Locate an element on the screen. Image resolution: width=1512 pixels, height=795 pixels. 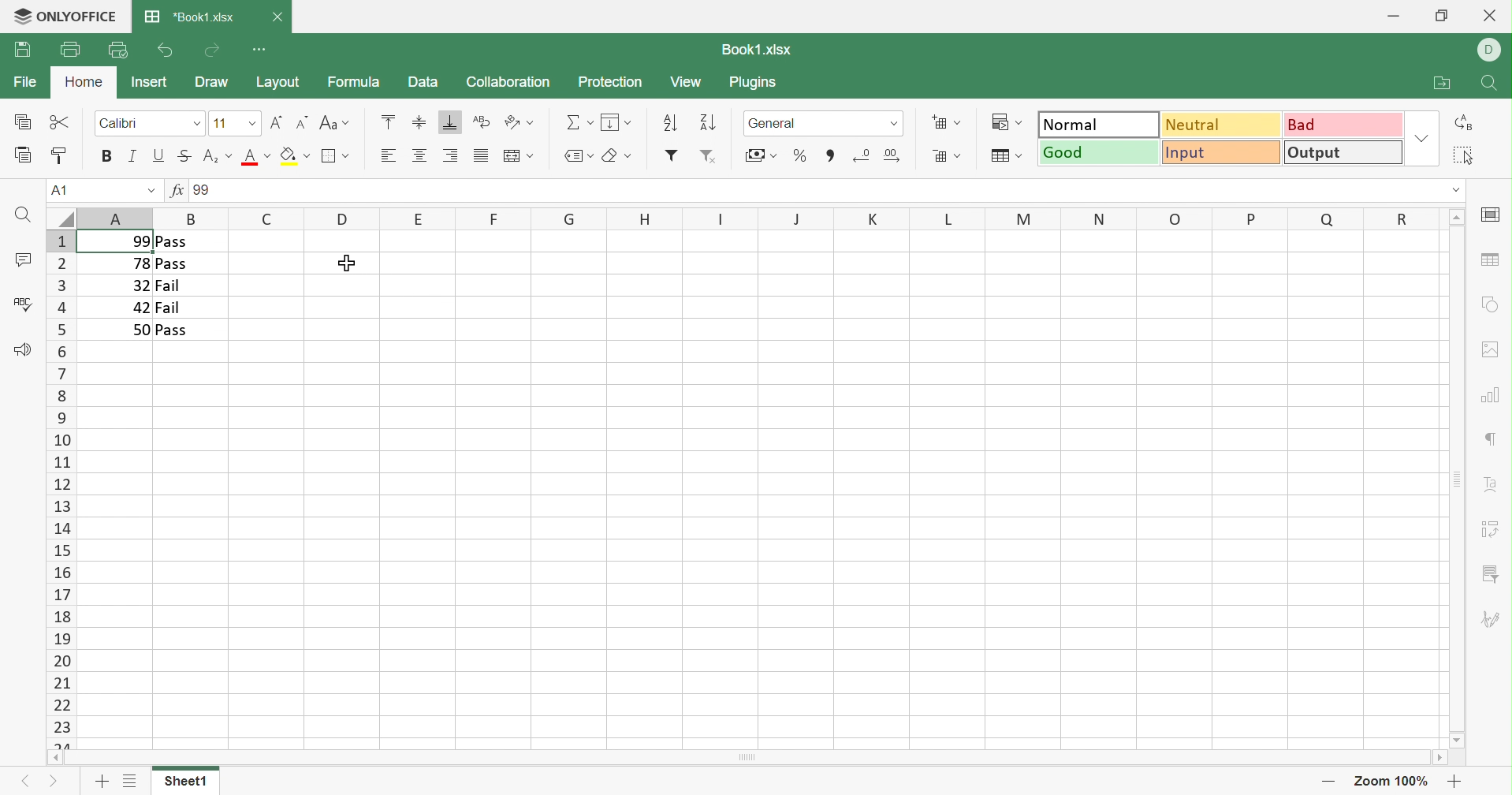
Scroll right is located at coordinates (1439, 760).